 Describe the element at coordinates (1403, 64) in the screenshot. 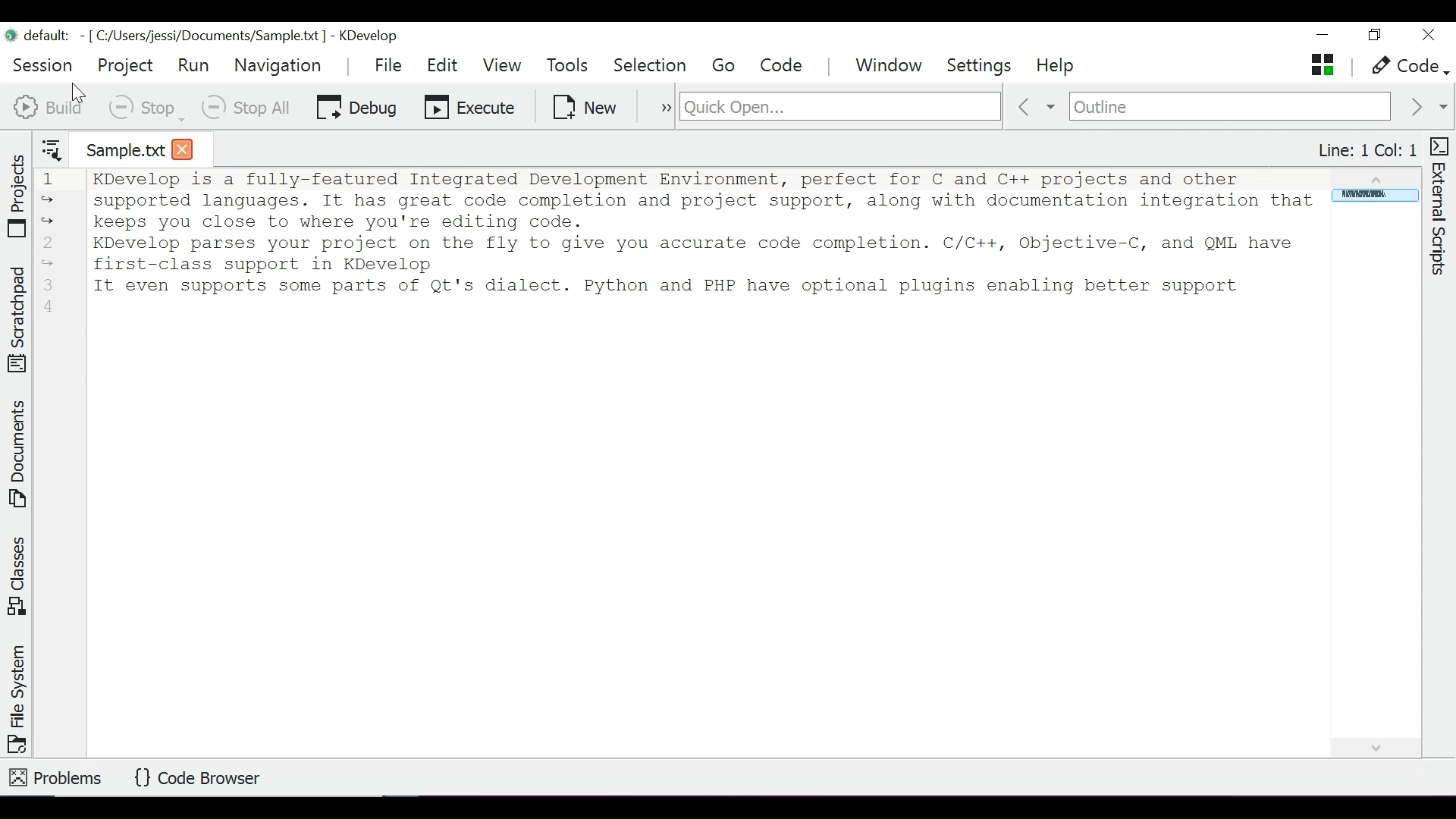

I see `Code` at that location.